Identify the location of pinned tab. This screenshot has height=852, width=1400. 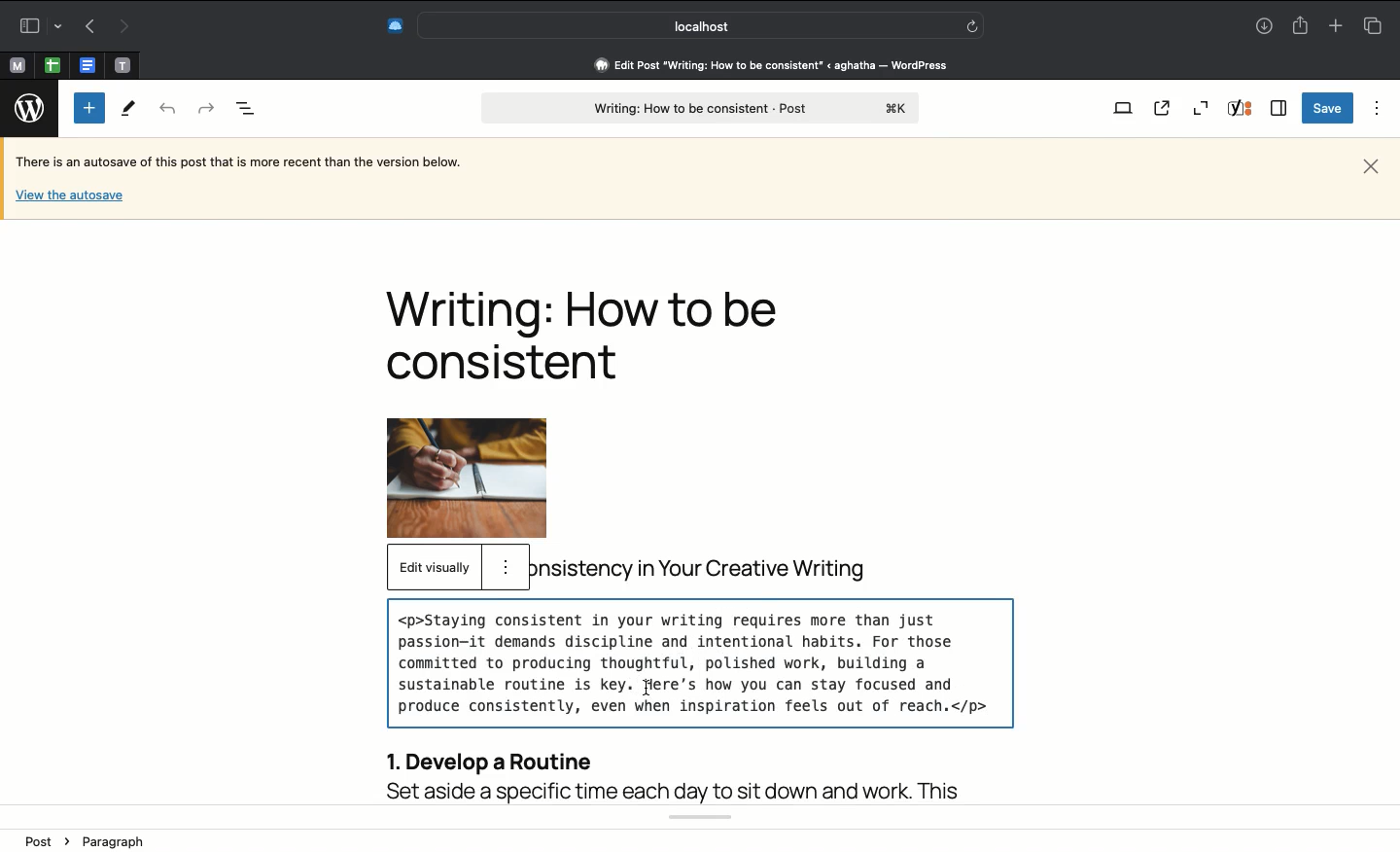
(124, 62).